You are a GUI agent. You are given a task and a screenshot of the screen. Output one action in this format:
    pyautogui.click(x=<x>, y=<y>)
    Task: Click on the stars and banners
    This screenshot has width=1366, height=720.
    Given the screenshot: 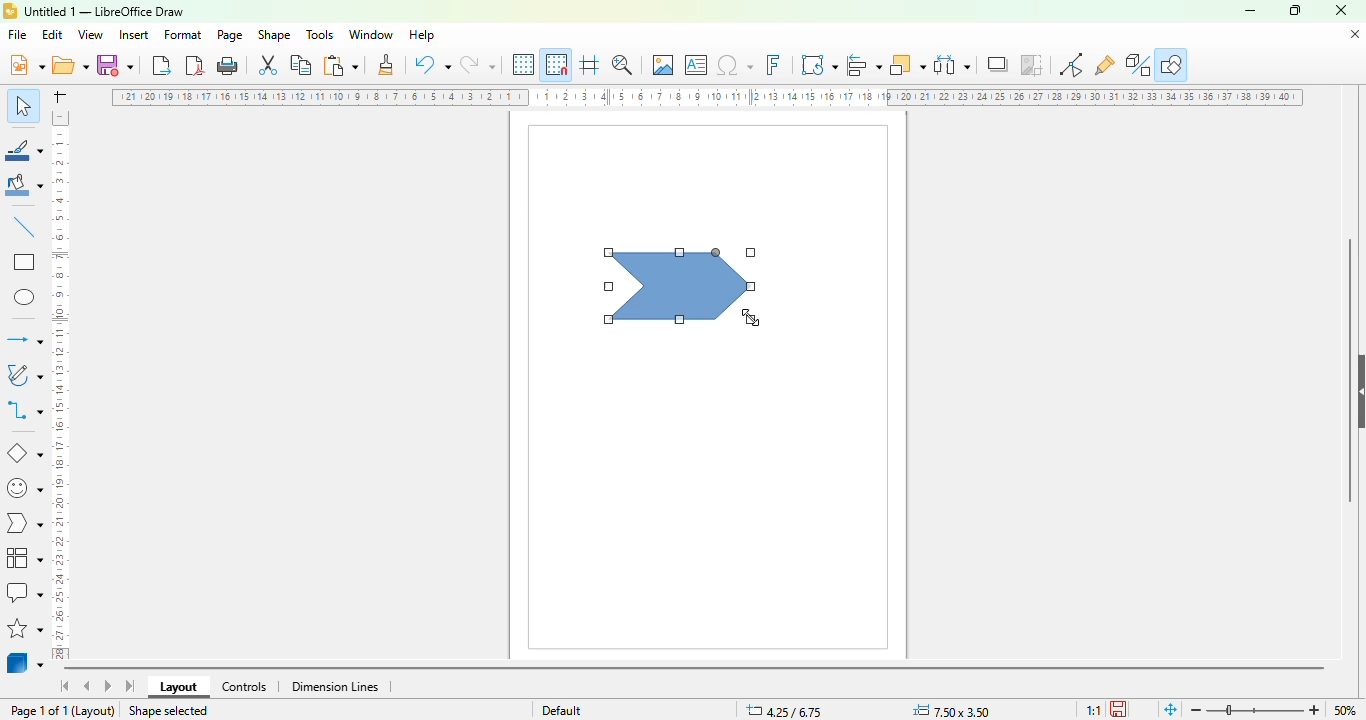 What is the action you would take?
    pyautogui.click(x=25, y=628)
    